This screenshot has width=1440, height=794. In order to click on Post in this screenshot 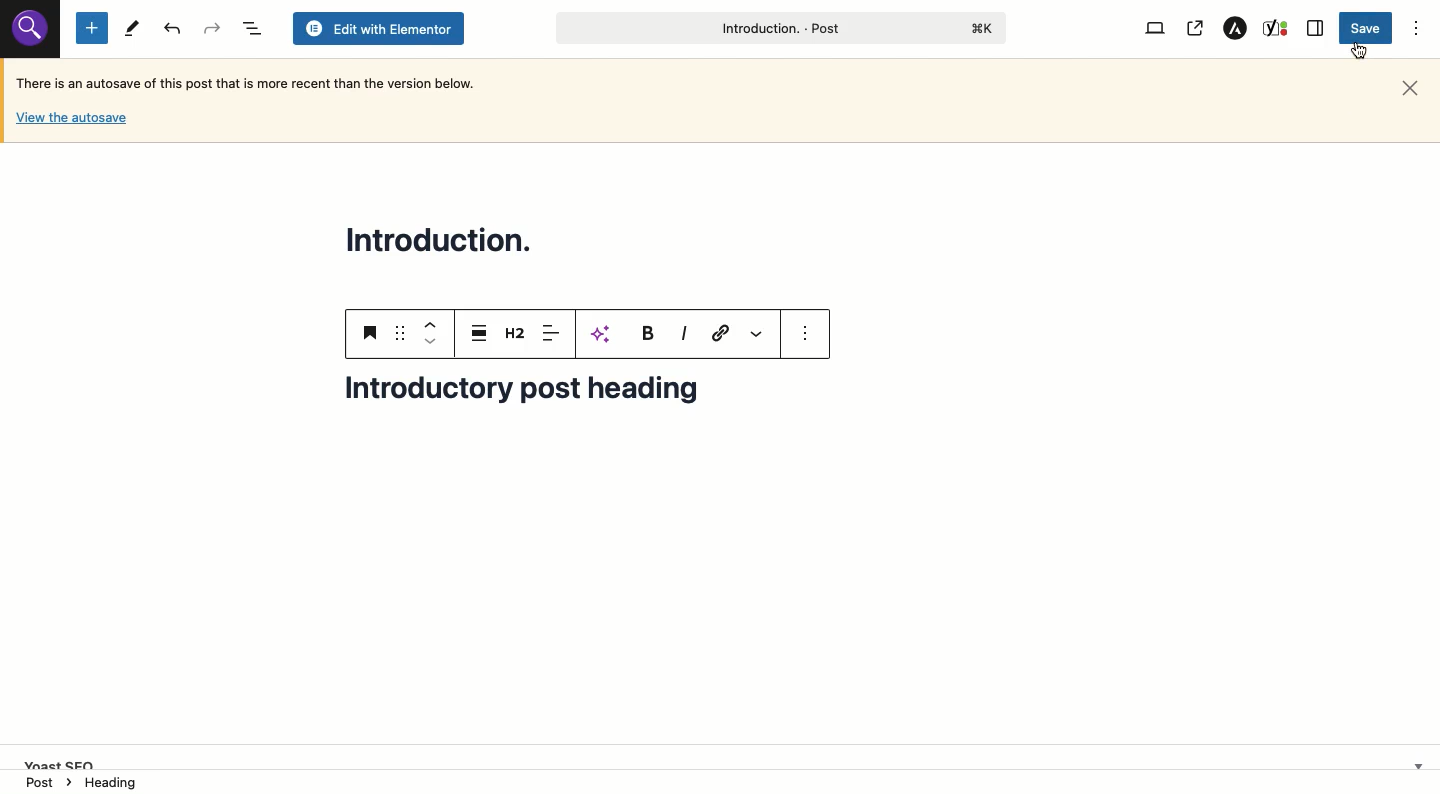, I will do `click(778, 28)`.